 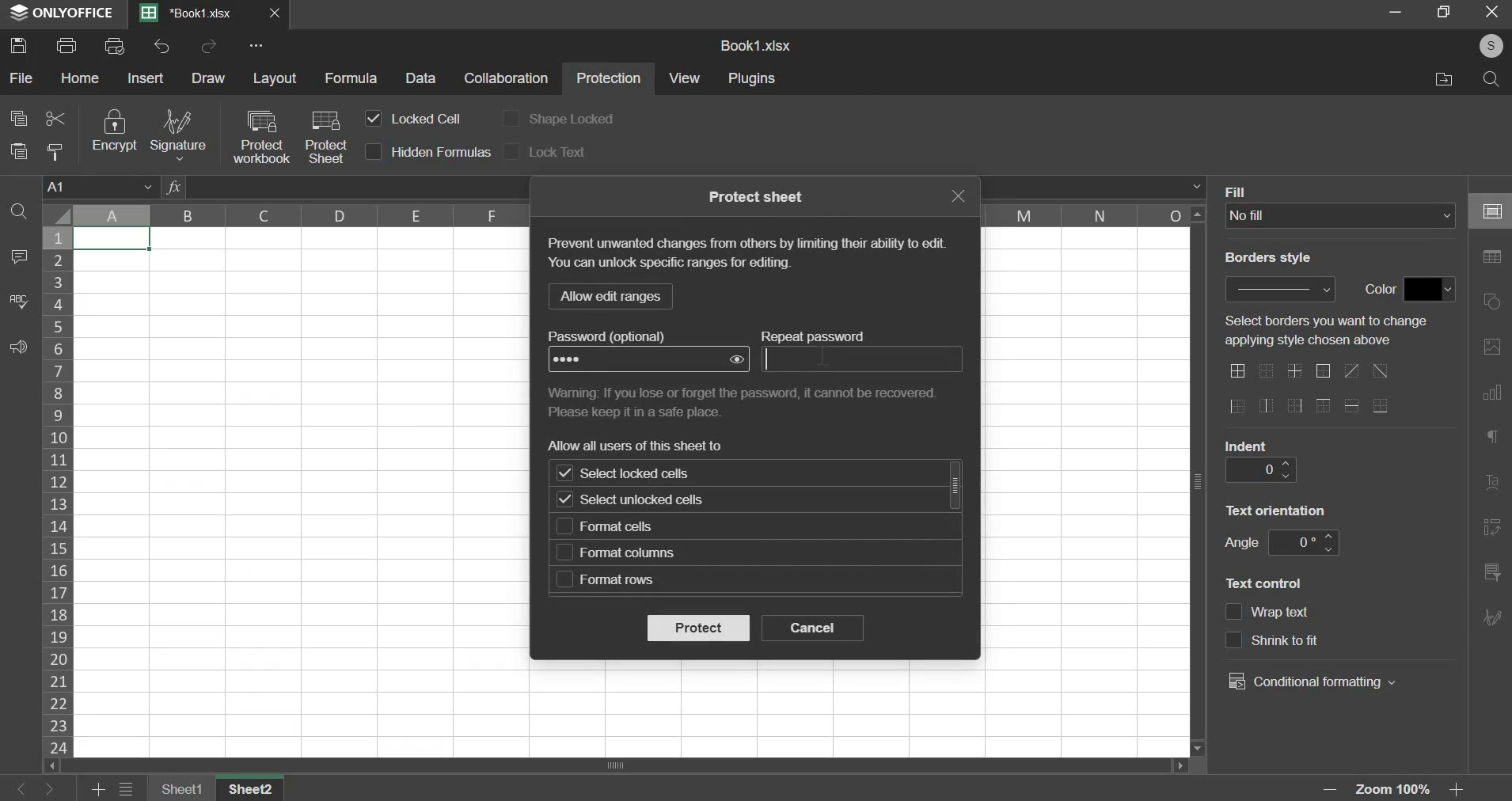 I want to click on Zoom 100%, so click(x=1398, y=790).